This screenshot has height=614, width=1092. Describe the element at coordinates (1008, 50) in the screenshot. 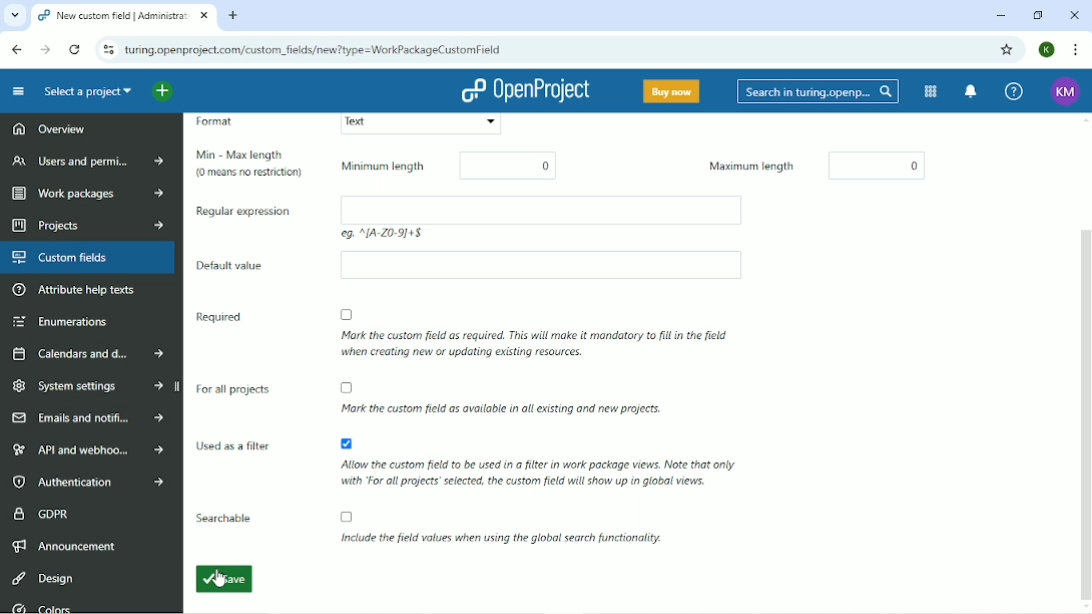

I see `Bookmark this tab` at that location.